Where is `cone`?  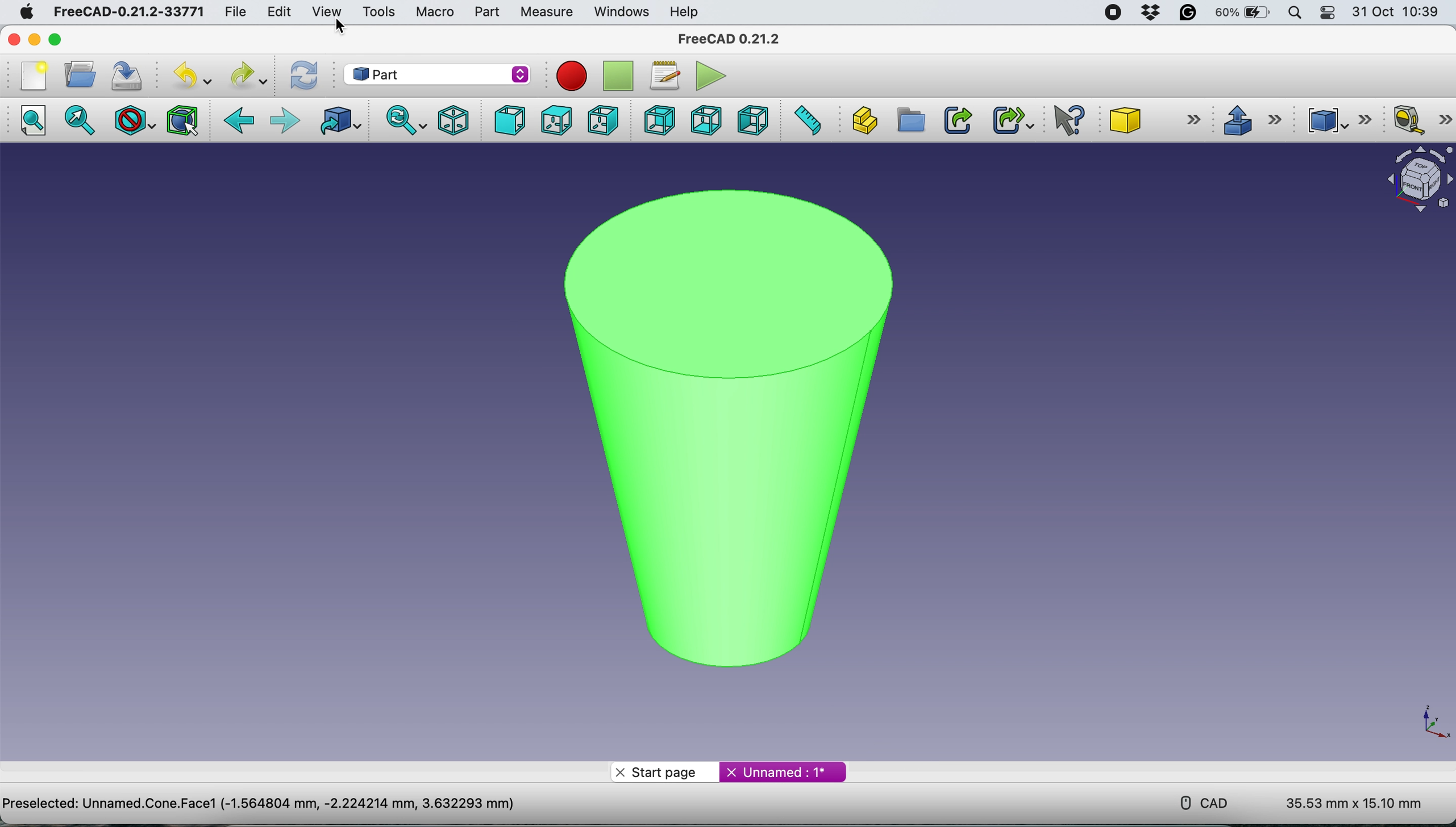
cone is located at coordinates (1157, 122).